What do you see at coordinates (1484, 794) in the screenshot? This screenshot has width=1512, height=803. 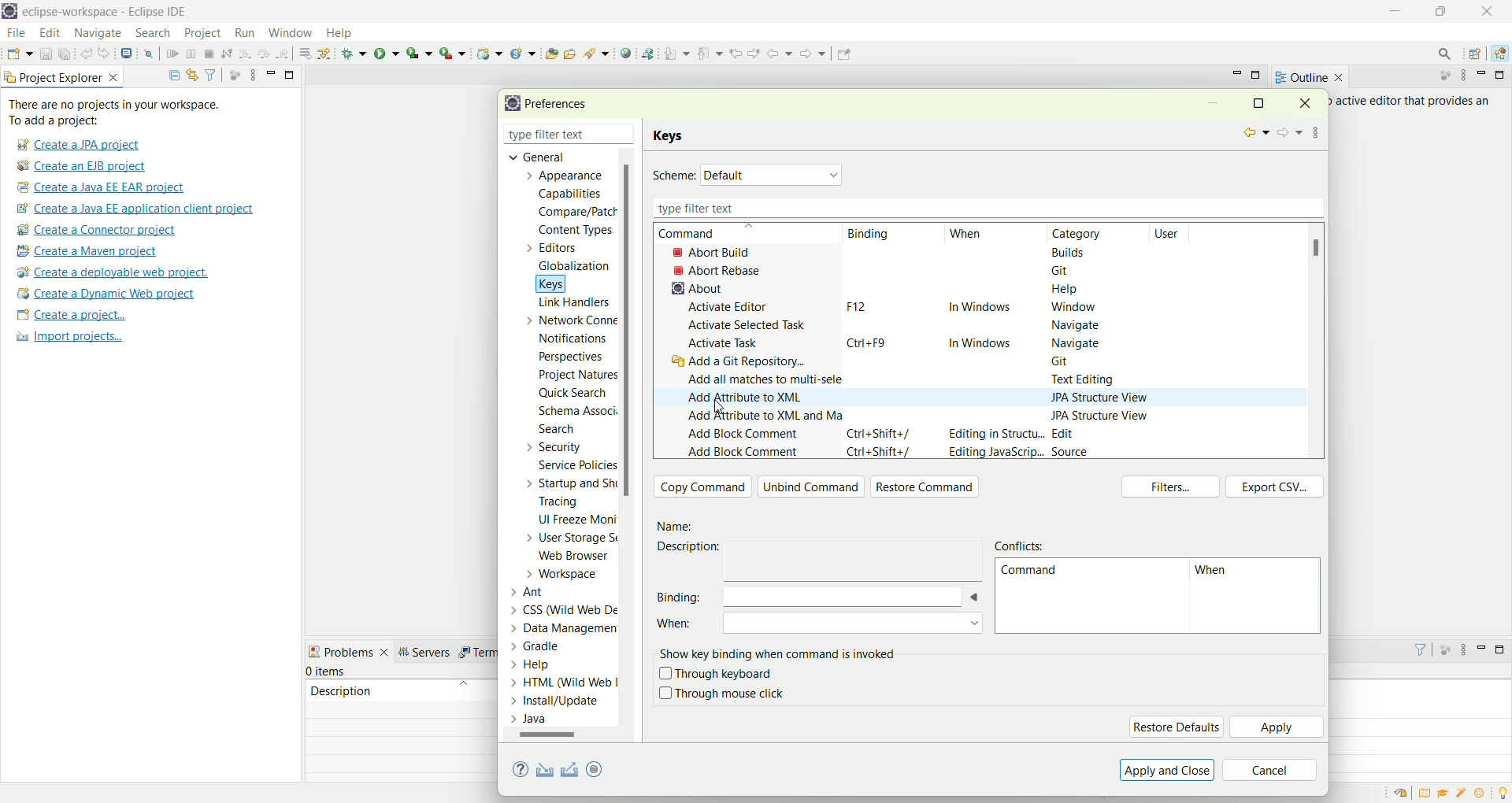 I see `what's new` at bounding box center [1484, 794].